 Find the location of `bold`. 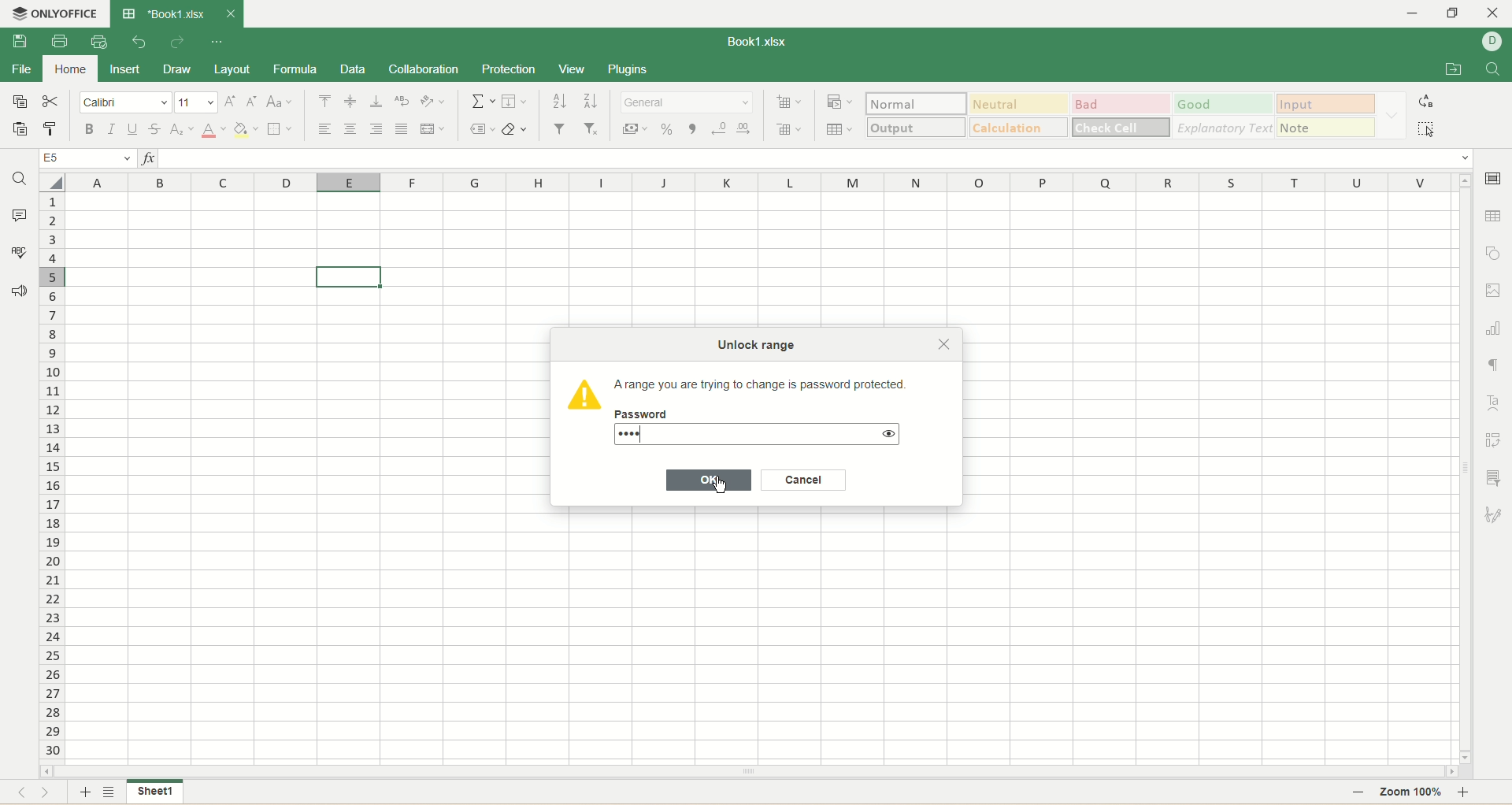

bold is located at coordinates (87, 128).